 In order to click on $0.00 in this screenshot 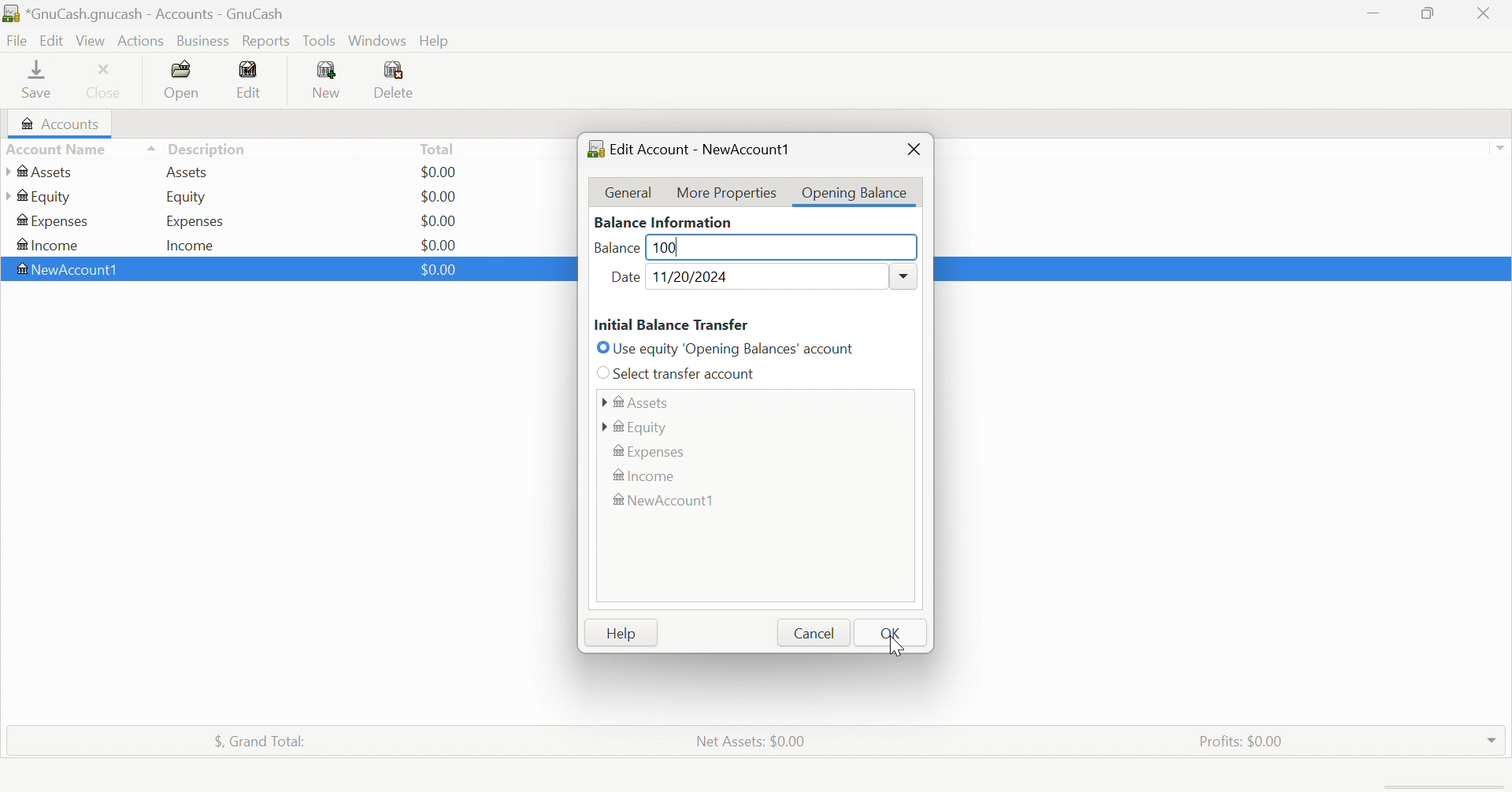, I will do `click(439, 242)`.